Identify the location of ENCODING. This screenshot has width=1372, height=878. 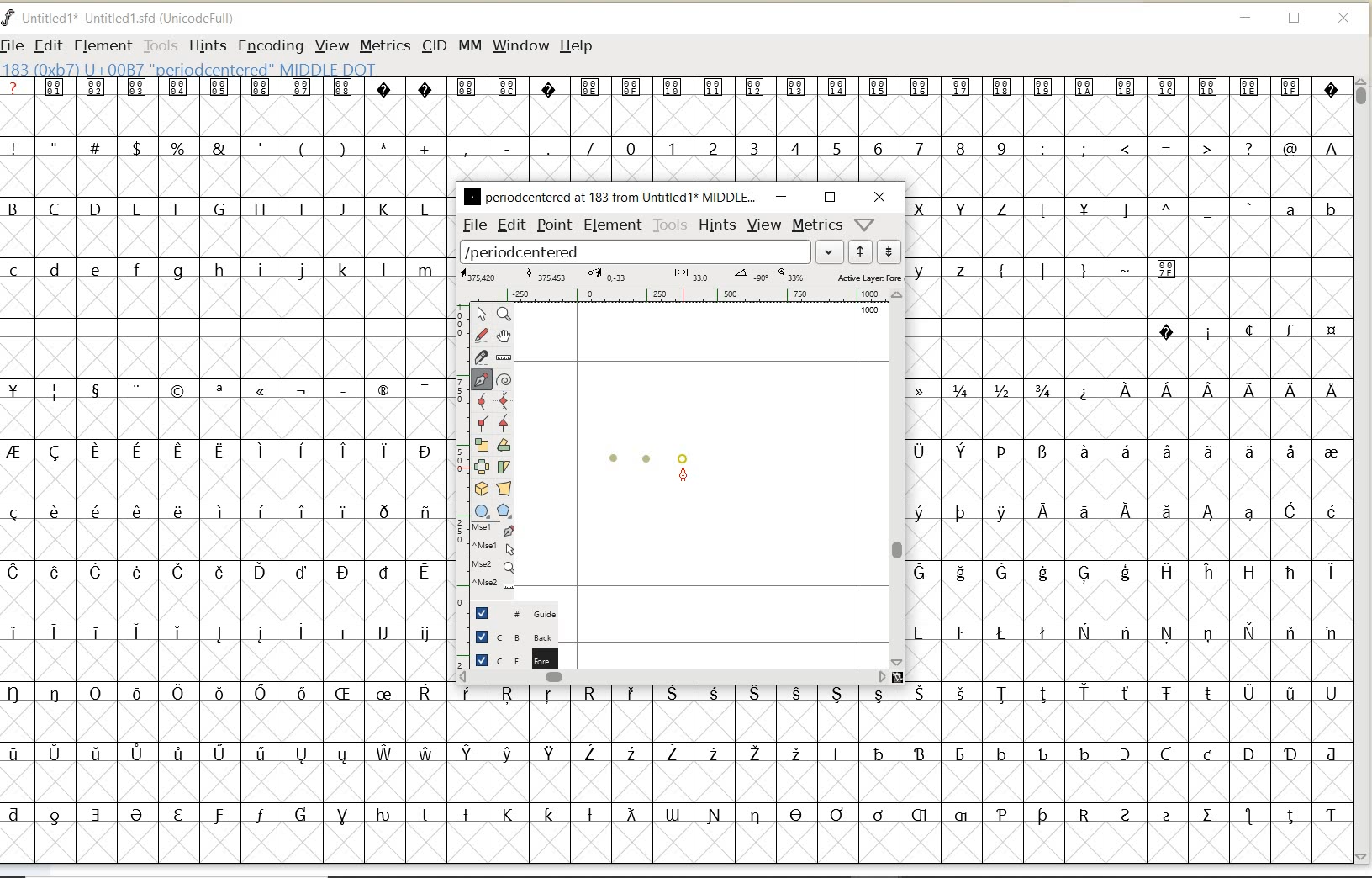
(271, 47).